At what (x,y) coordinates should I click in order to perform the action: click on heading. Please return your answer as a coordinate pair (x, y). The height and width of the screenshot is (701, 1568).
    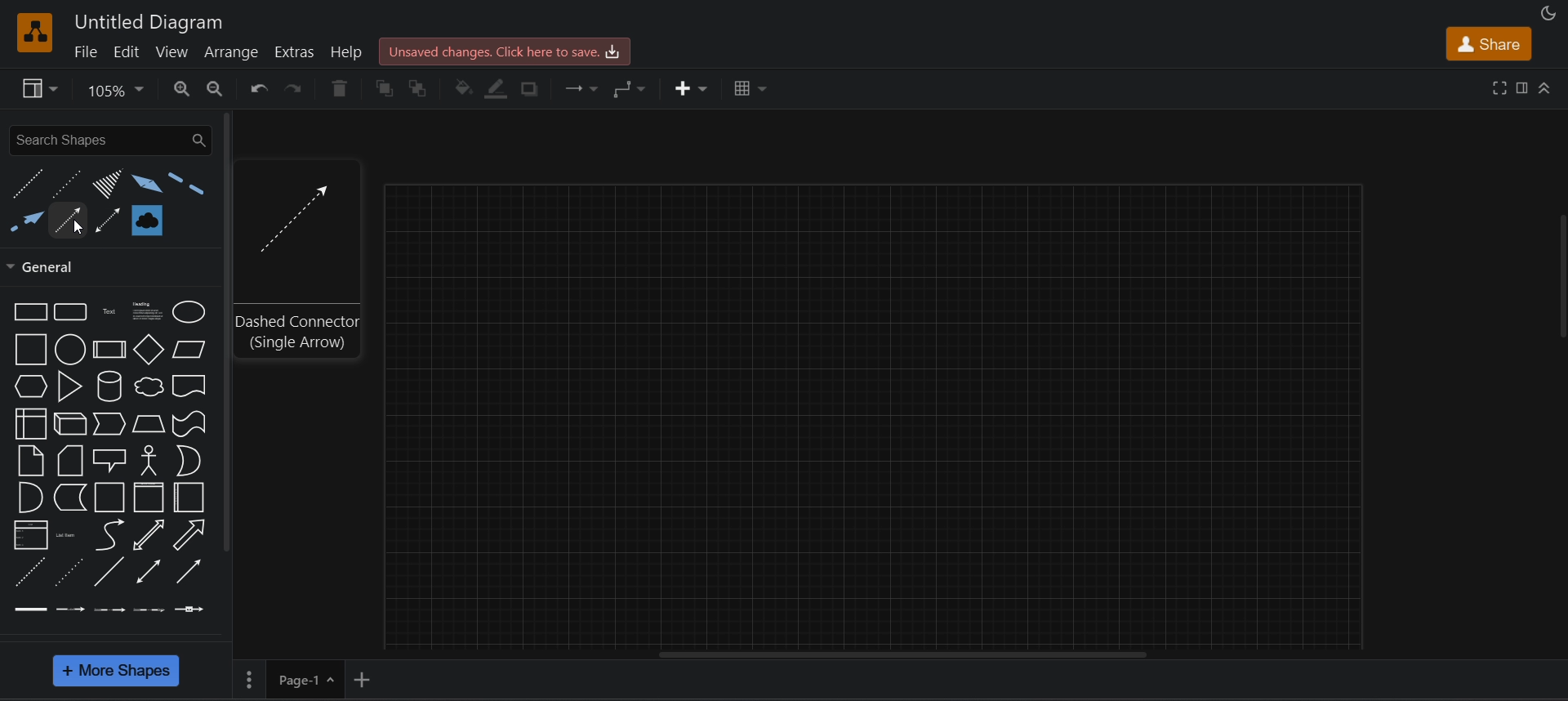
    Looking at the image, I should click on (144, 311).